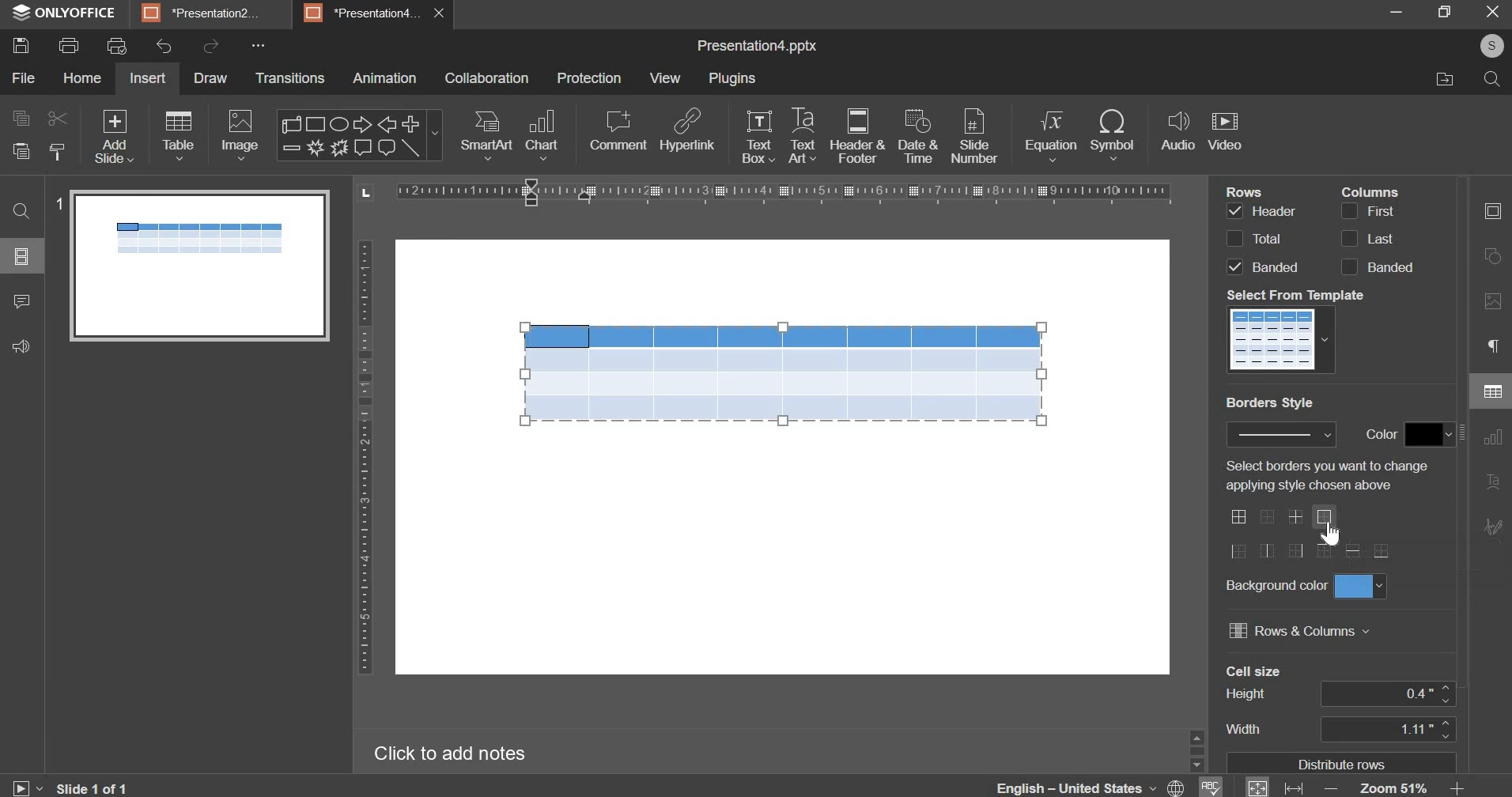 The width and height of the screenshot is (1512, 797). What do you see at coordinates (55, 119) in the screenshot?
I see `cut` at bounding box center [55, 119].